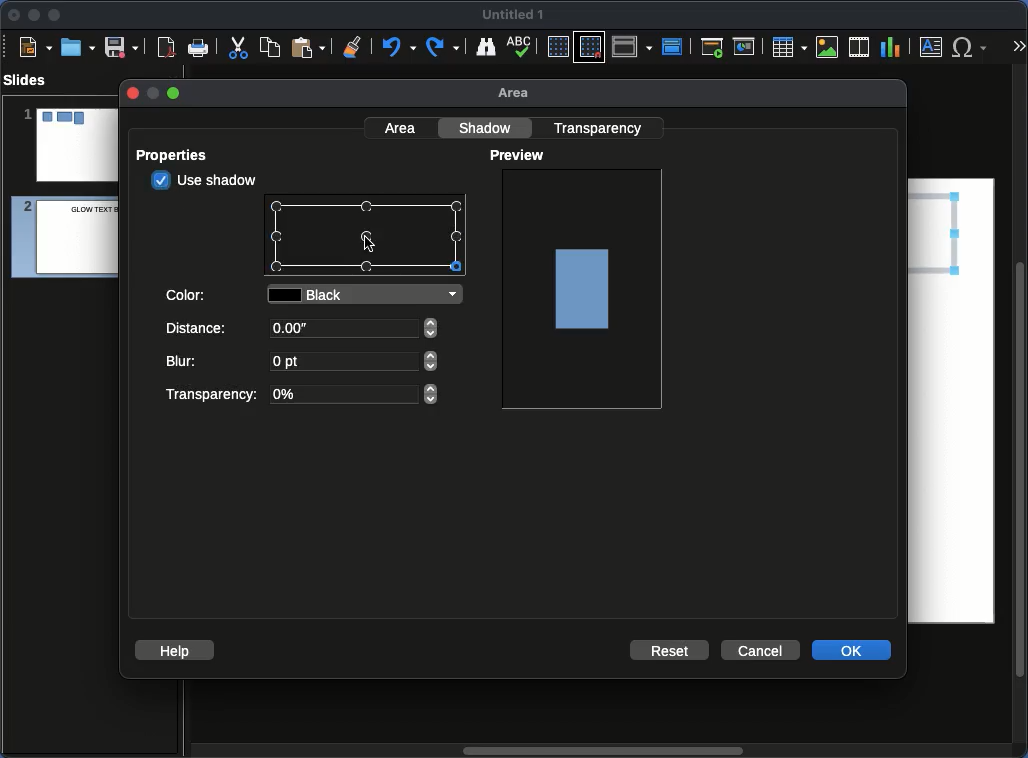  What do you see at coordinates (166, 48) in the screenshot?
I see `Export as PDF` at bounding box center [166, 48].